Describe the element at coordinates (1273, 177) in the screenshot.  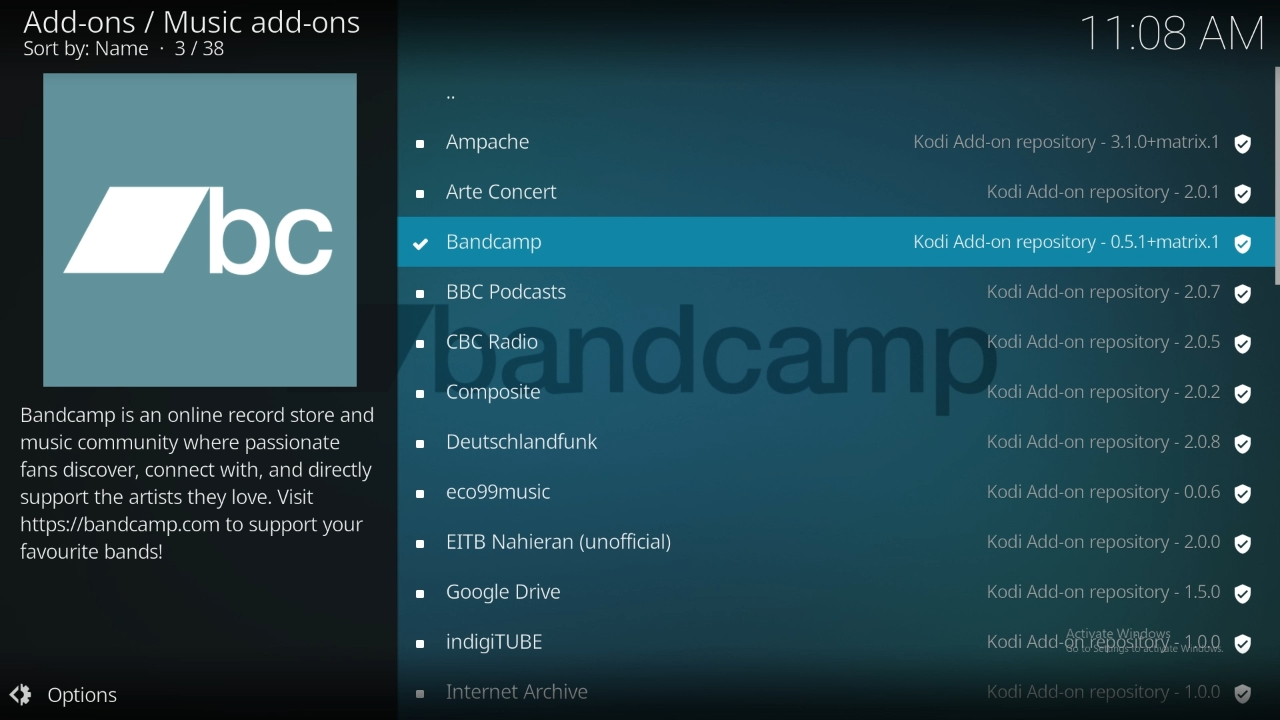
I see `scroll bar` at that location.